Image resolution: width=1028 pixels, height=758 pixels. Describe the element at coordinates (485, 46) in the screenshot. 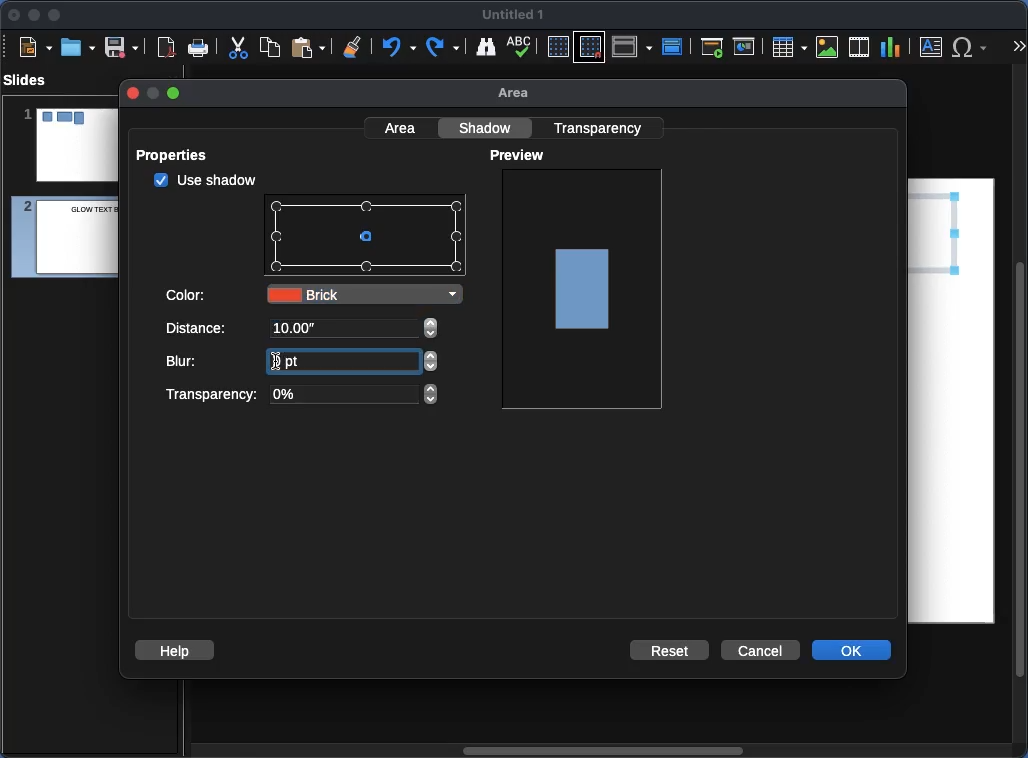

I see `Find` at that location.